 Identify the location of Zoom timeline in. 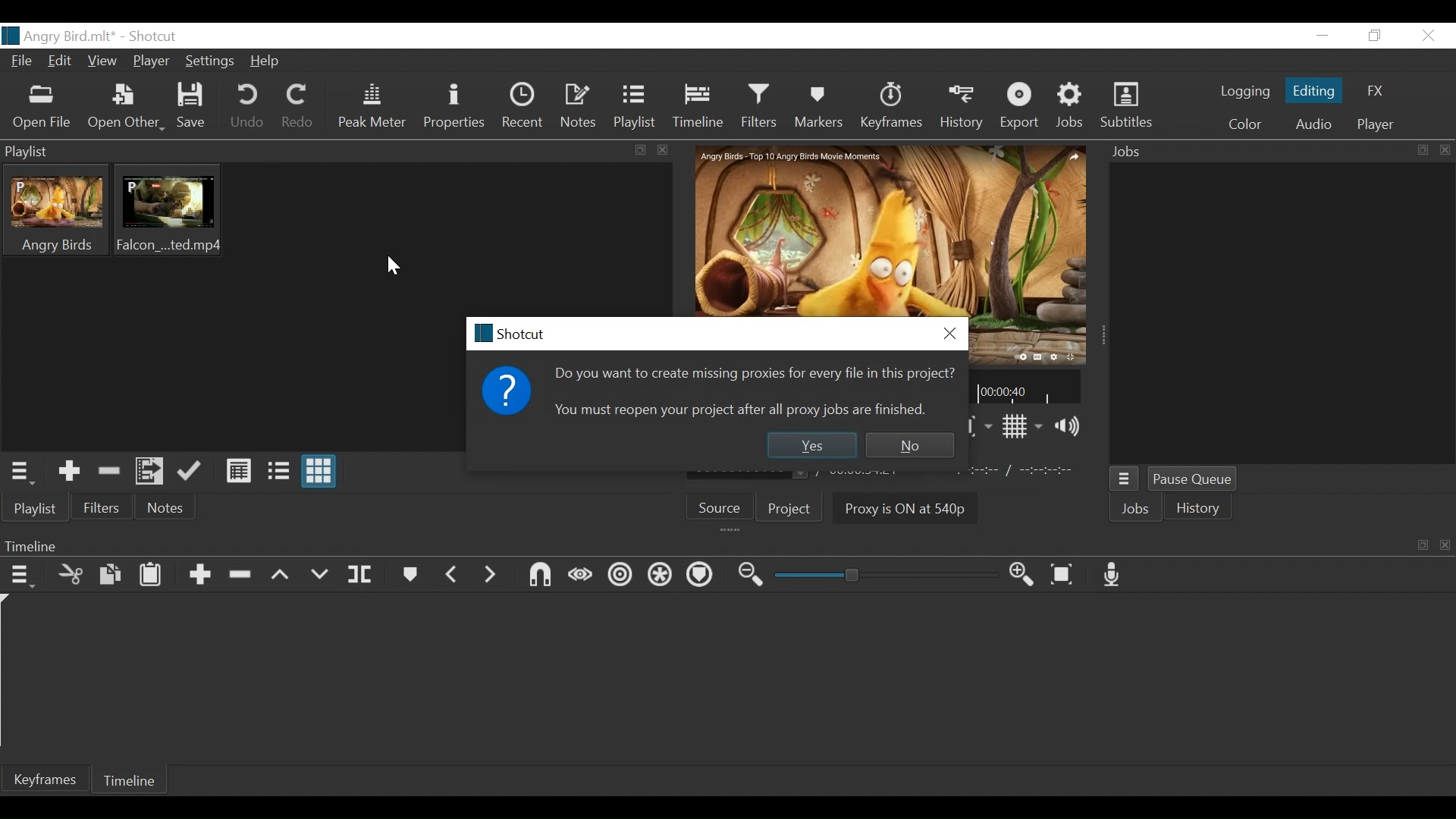
(1018, 574).